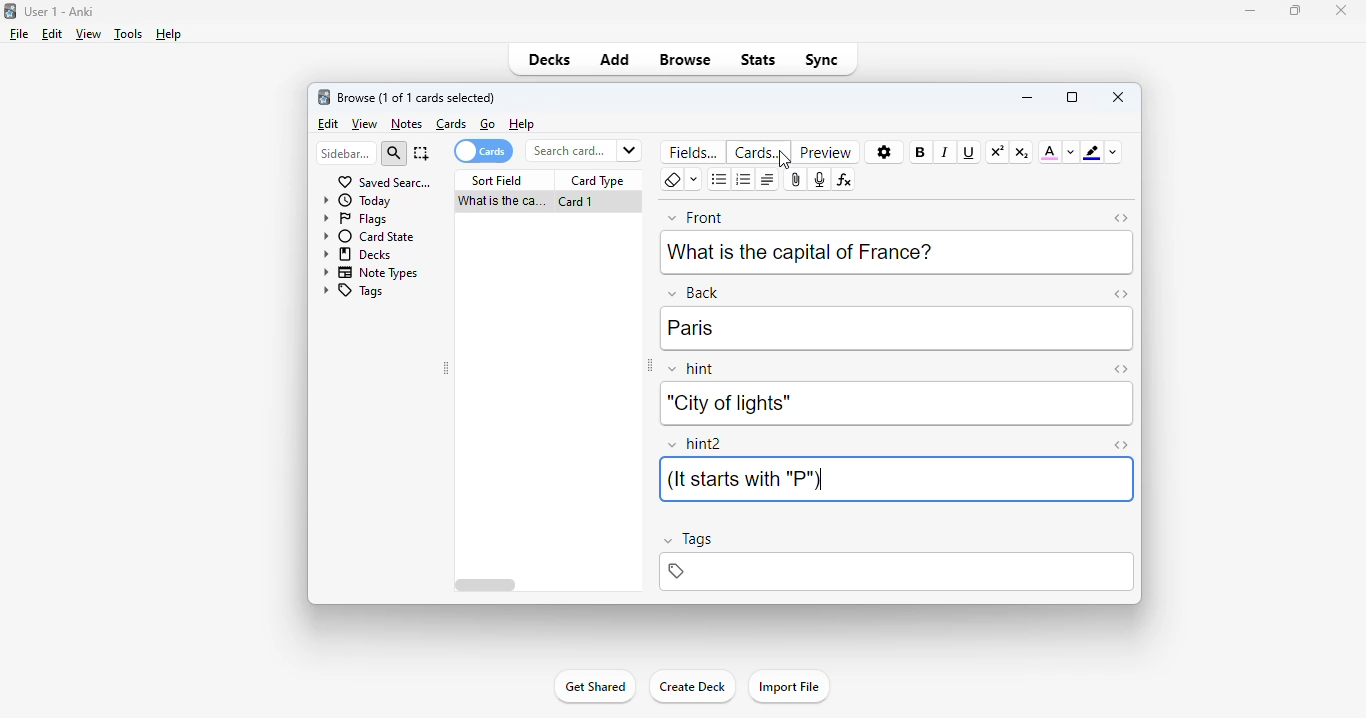 Image resolution: width=1366 pixels, height=718 pixels. I want to click on get shared, so click(594, 686).